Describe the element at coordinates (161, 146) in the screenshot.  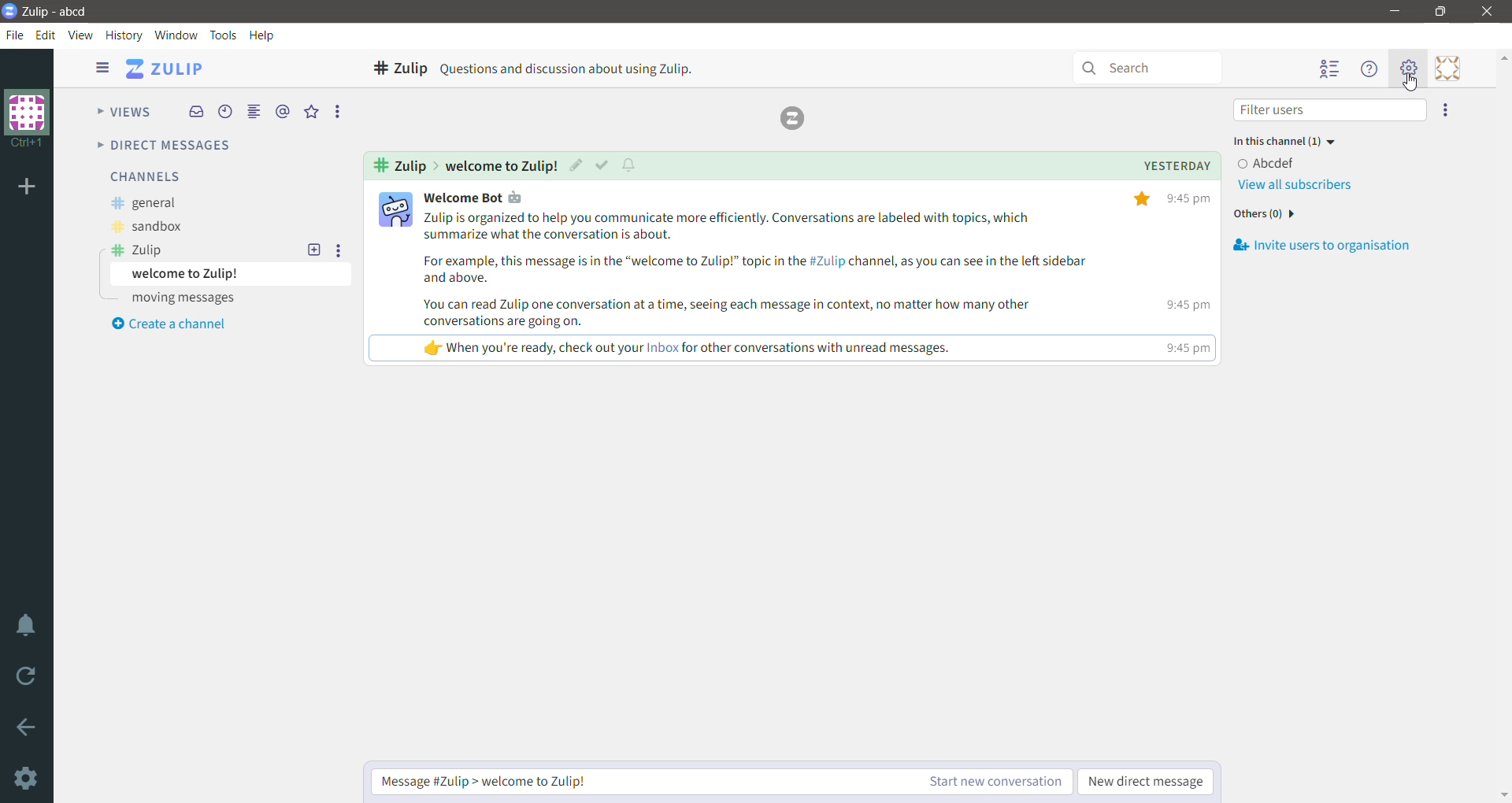
I see `Direct messages` at that location.